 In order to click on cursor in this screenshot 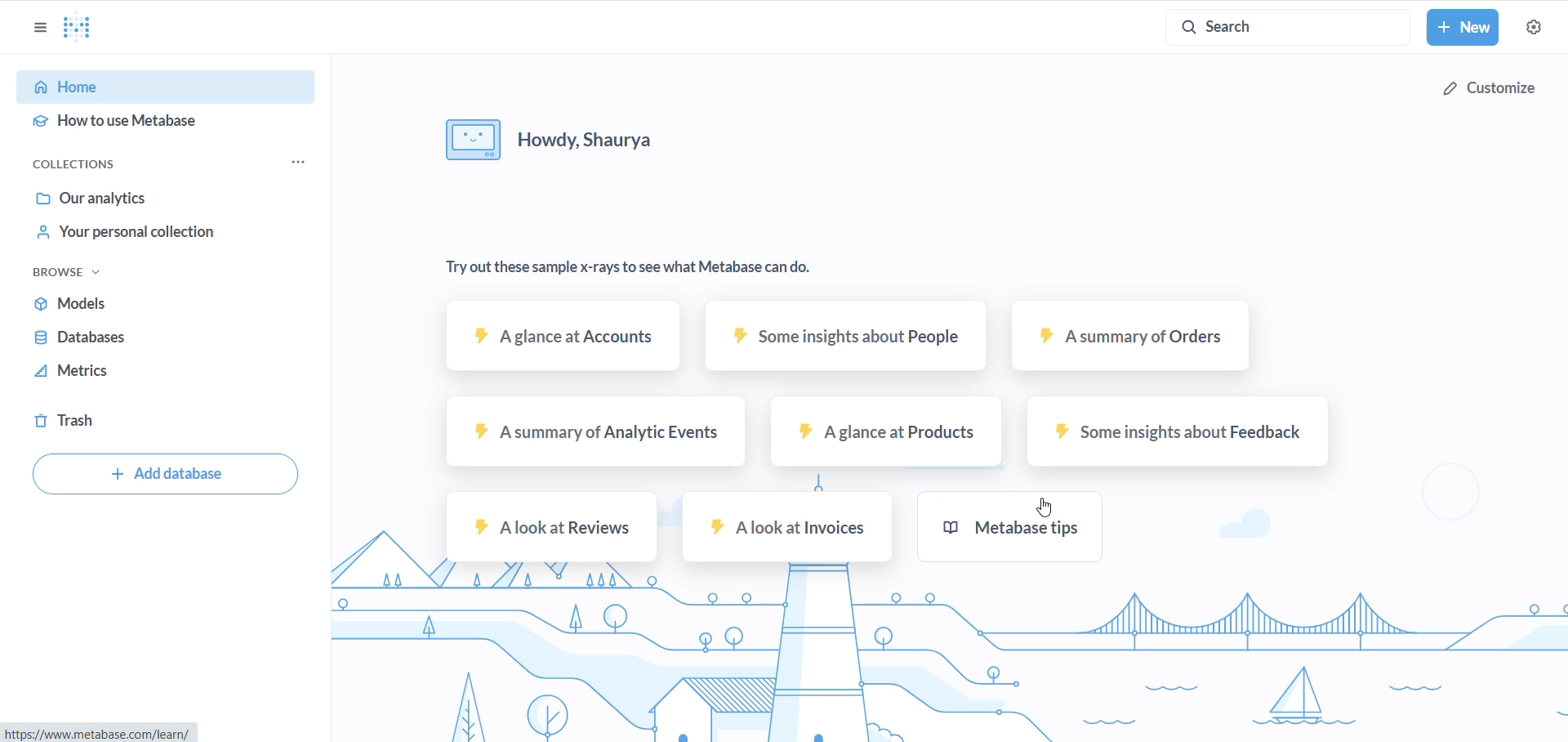, I will do `click(1041, 504)`.